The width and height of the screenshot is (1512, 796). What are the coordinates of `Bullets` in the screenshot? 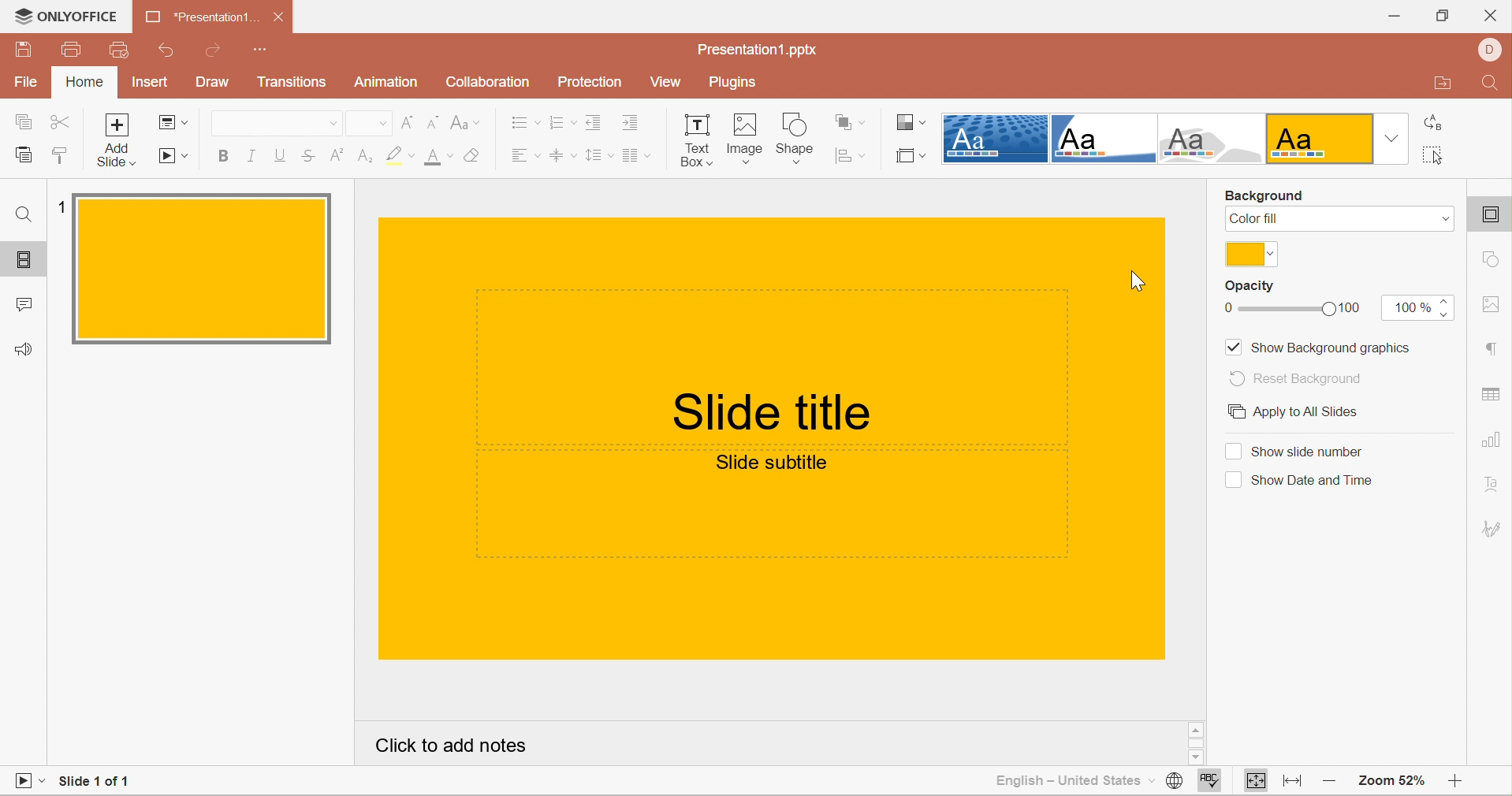 It's located at (526, 121).